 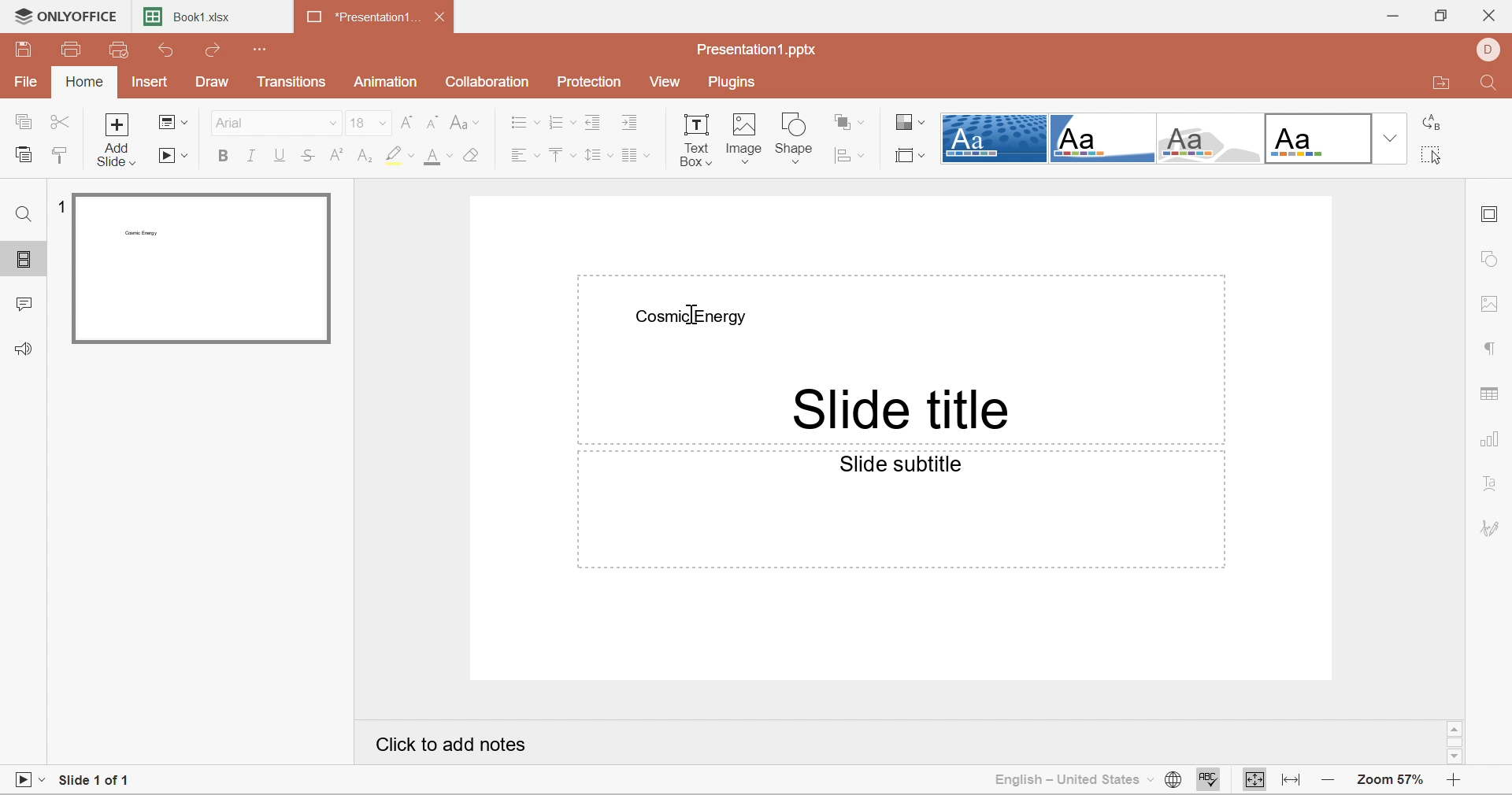 I want to click on Close, so click(x=440, y=18).